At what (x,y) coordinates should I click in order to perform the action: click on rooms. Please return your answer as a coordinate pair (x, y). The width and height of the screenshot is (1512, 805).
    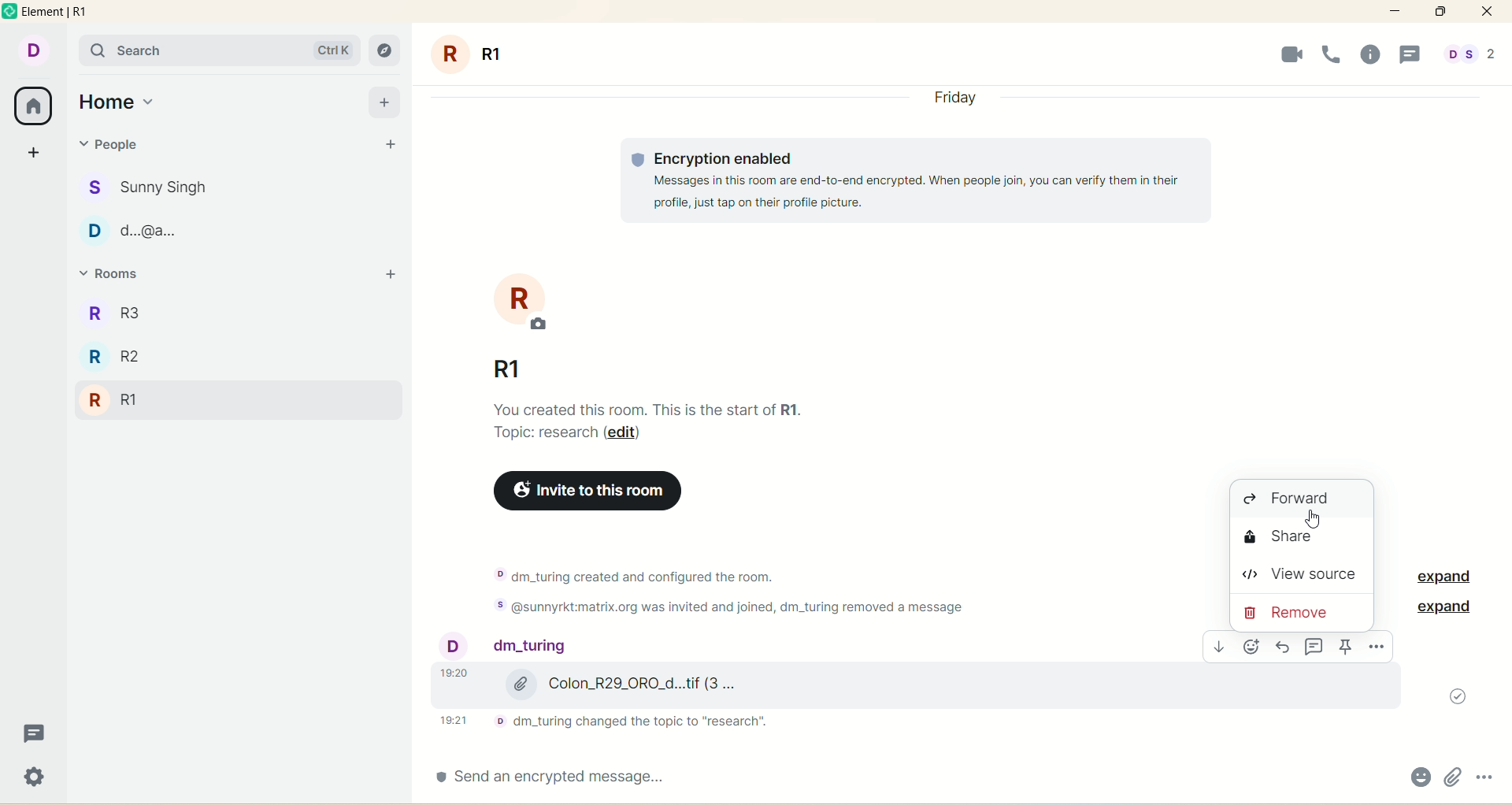
    Looking at the image, I should click on (121, 276).